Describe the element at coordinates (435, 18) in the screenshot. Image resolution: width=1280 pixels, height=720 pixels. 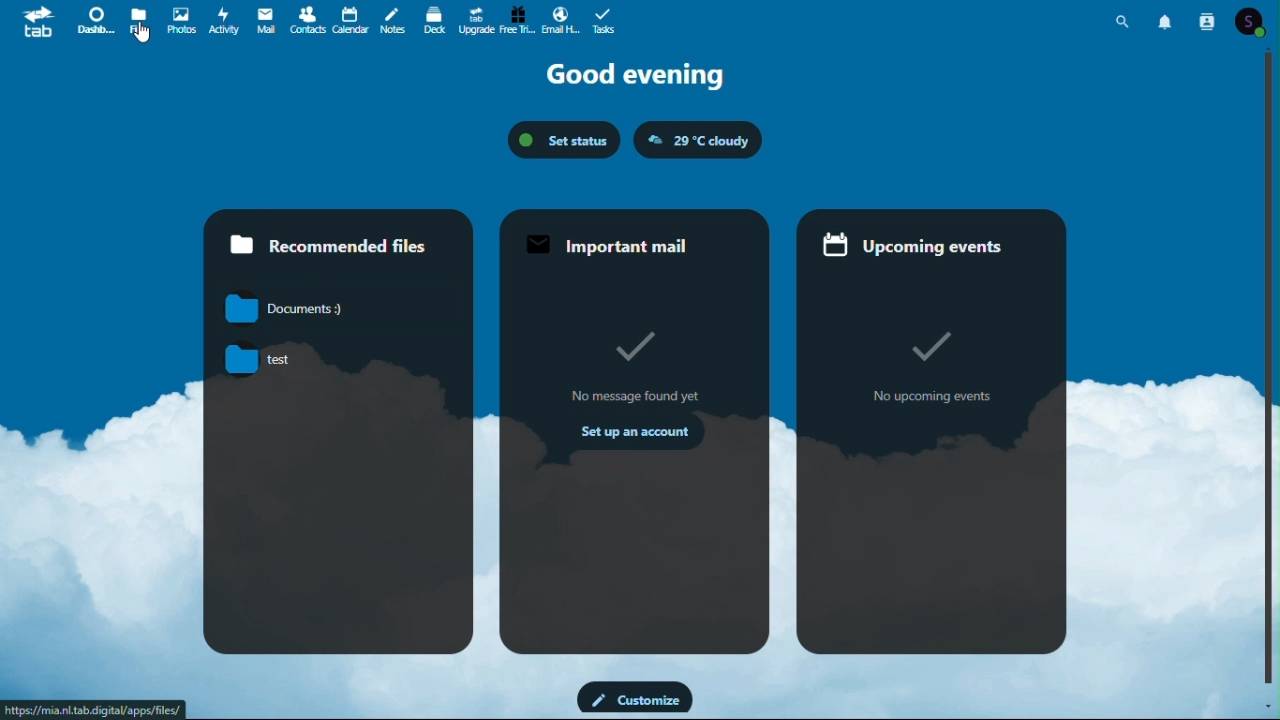
I see `deck` at that location.